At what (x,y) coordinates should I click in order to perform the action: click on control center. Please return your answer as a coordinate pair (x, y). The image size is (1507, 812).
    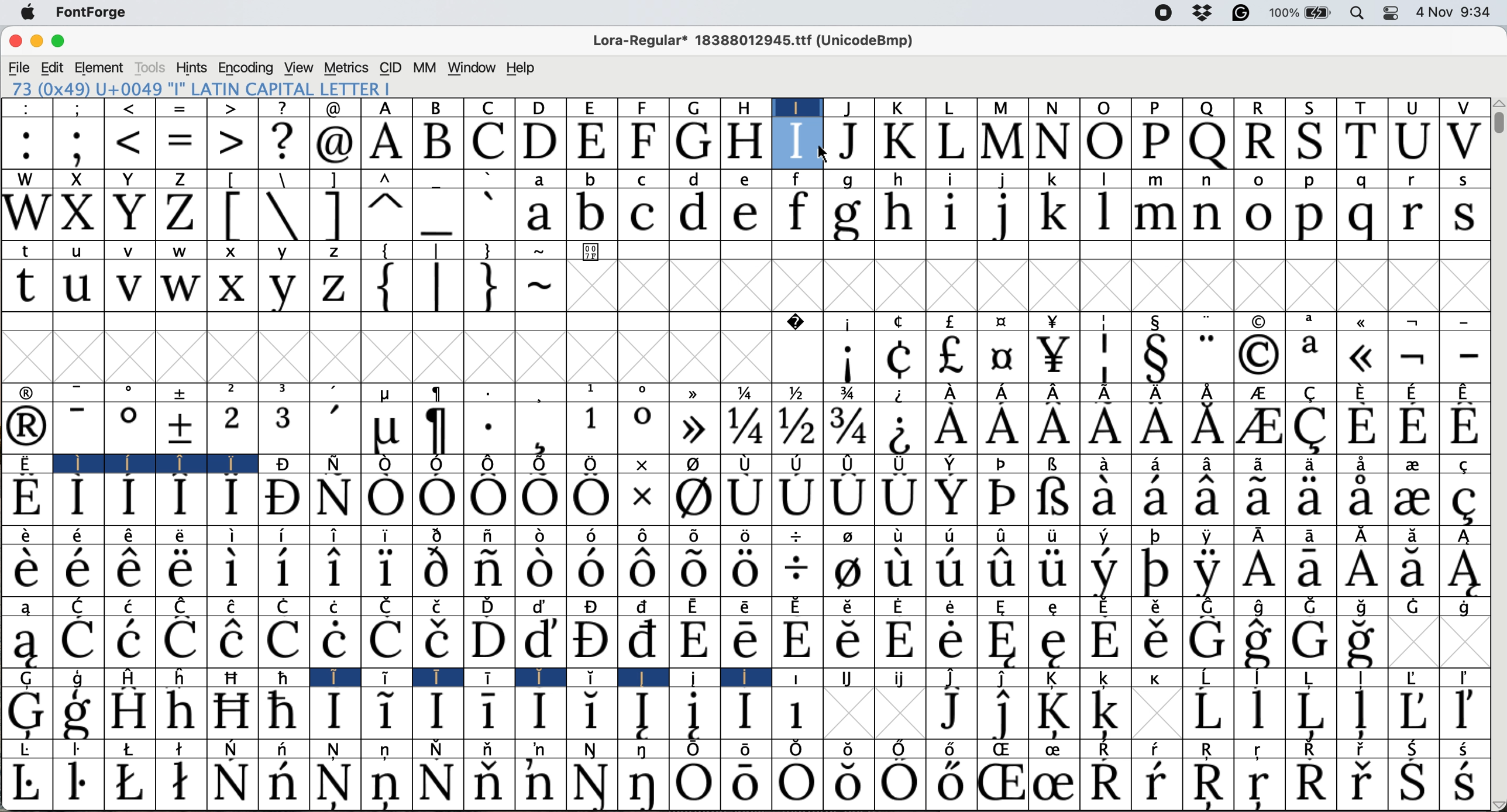
    Looking at the image, I should click on (1393, 14).